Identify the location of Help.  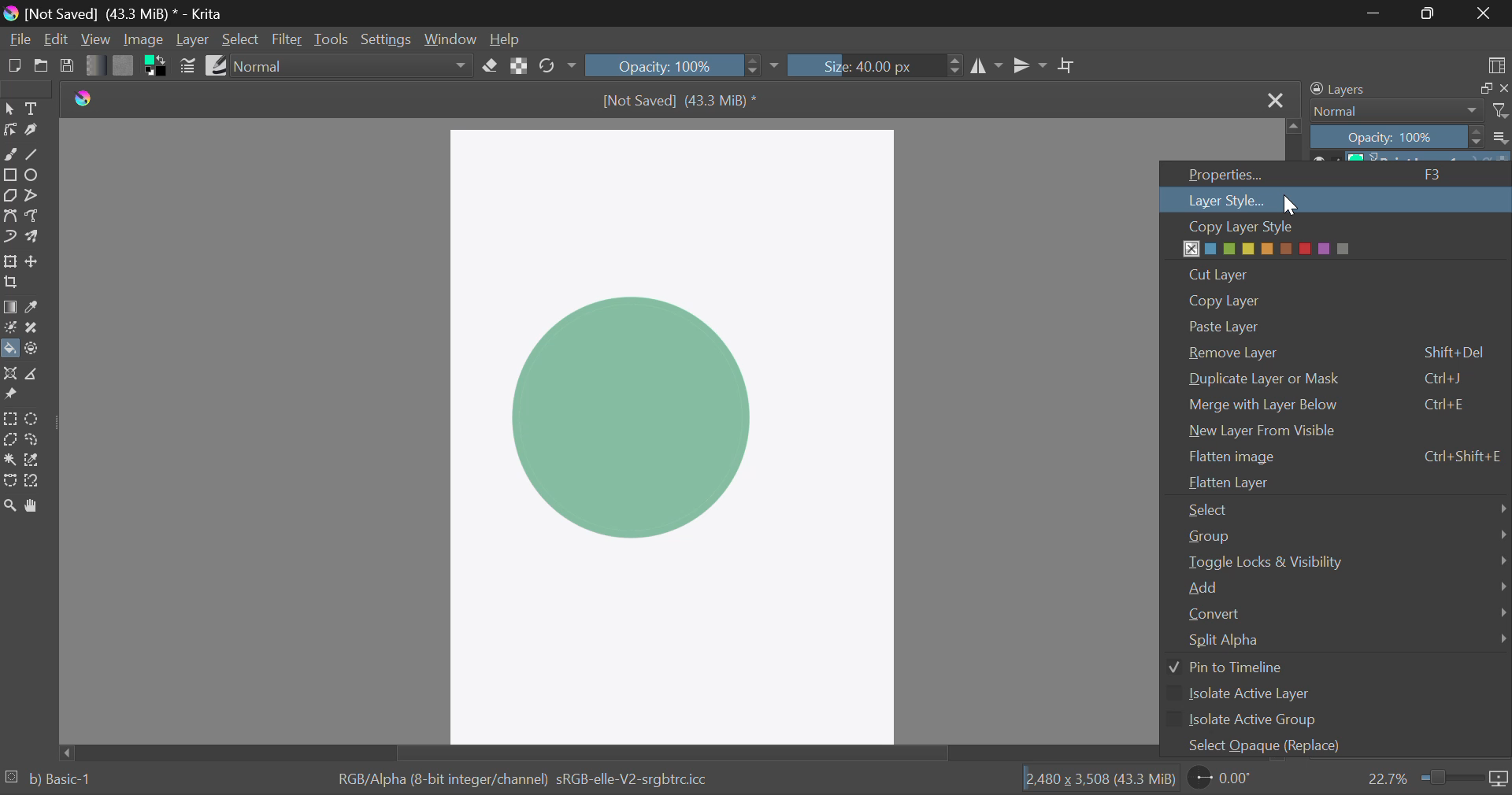
(507, 41).